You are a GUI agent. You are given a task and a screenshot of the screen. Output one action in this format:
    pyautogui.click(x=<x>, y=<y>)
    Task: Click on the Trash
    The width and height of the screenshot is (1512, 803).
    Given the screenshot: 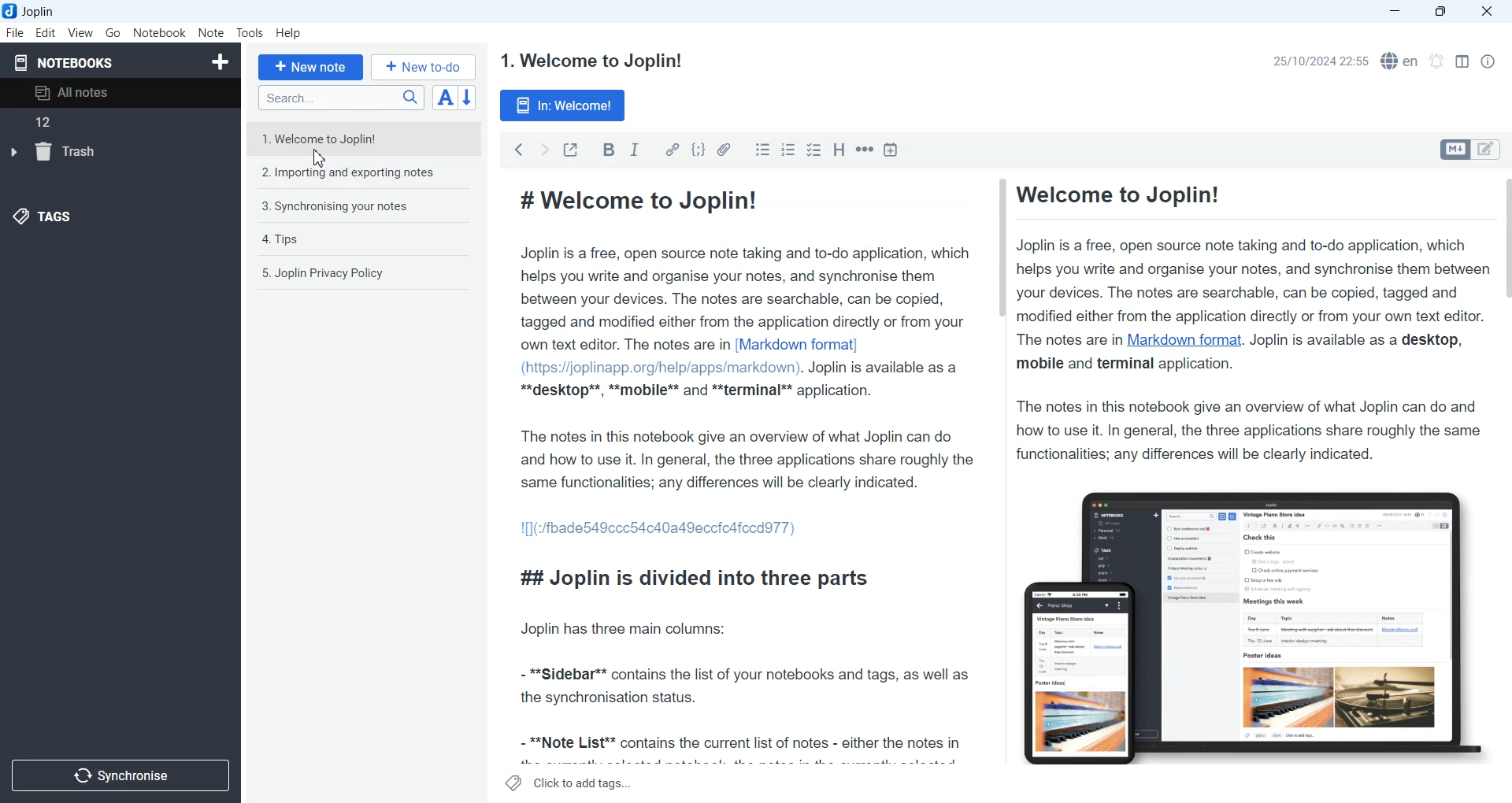 What is the action you would take?
    pyautogui.click(x=60, y=150)
    